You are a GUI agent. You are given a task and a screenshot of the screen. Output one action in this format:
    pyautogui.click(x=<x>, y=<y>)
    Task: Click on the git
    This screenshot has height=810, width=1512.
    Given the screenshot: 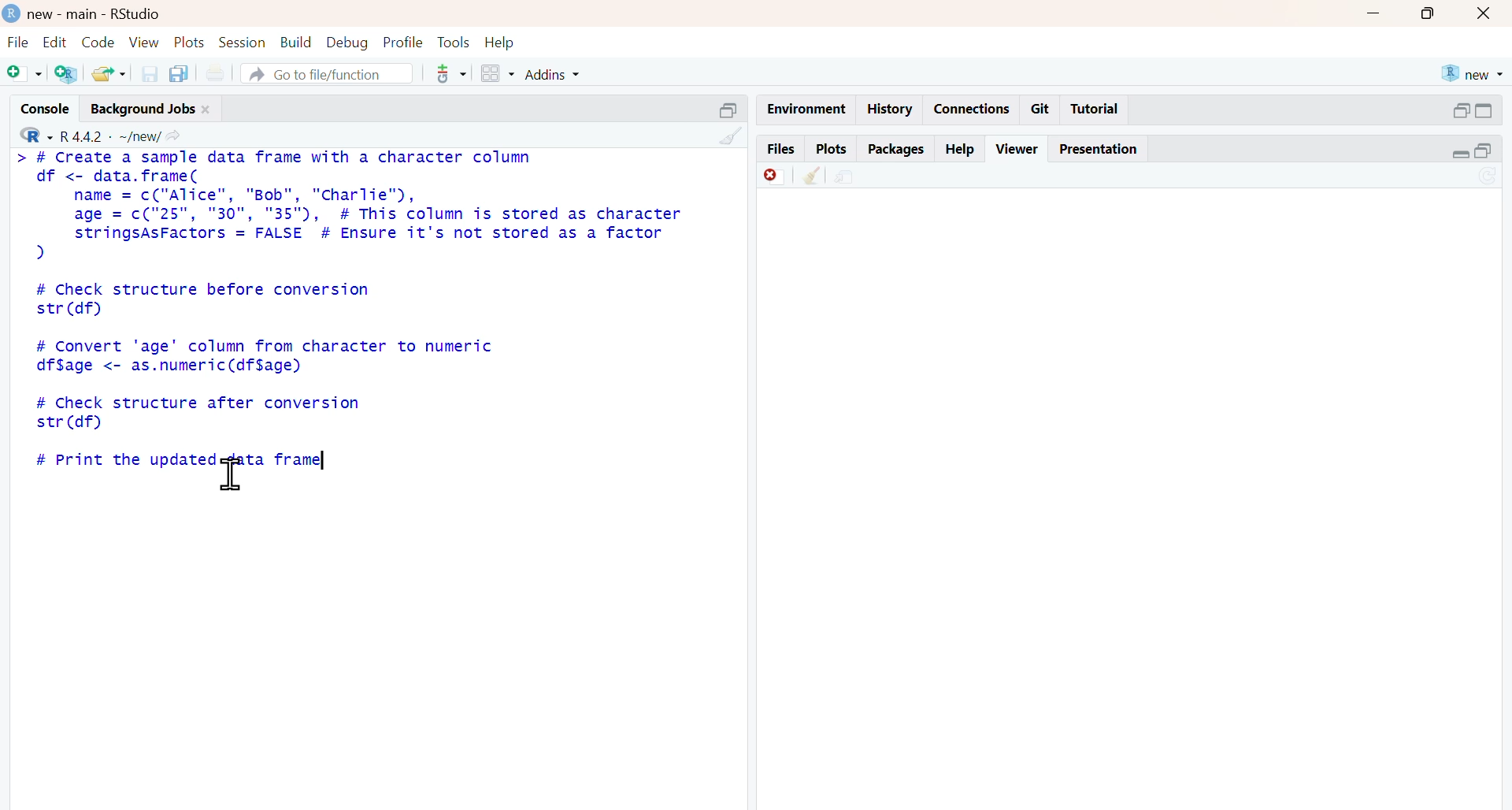 What is the action you would take?
    pyautogui.click(x=1039, y=109)
    